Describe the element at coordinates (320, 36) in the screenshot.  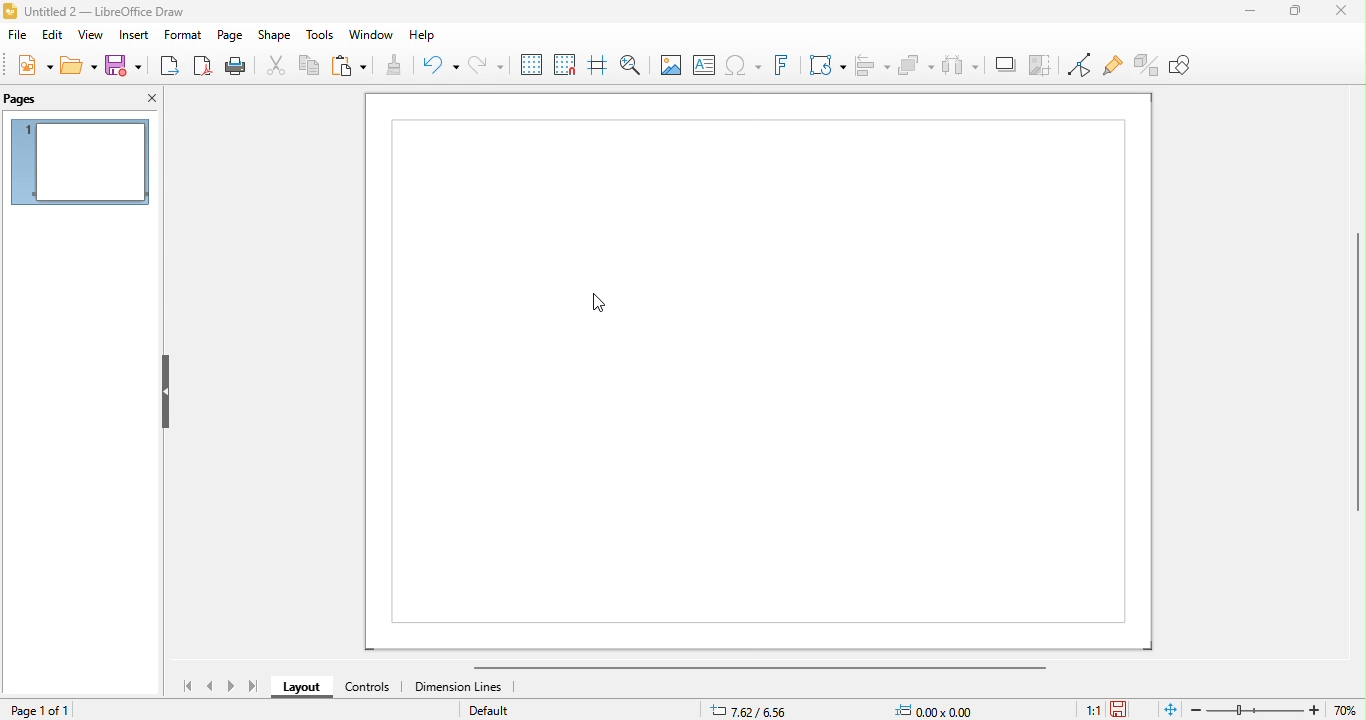
I see `tools` at that location.